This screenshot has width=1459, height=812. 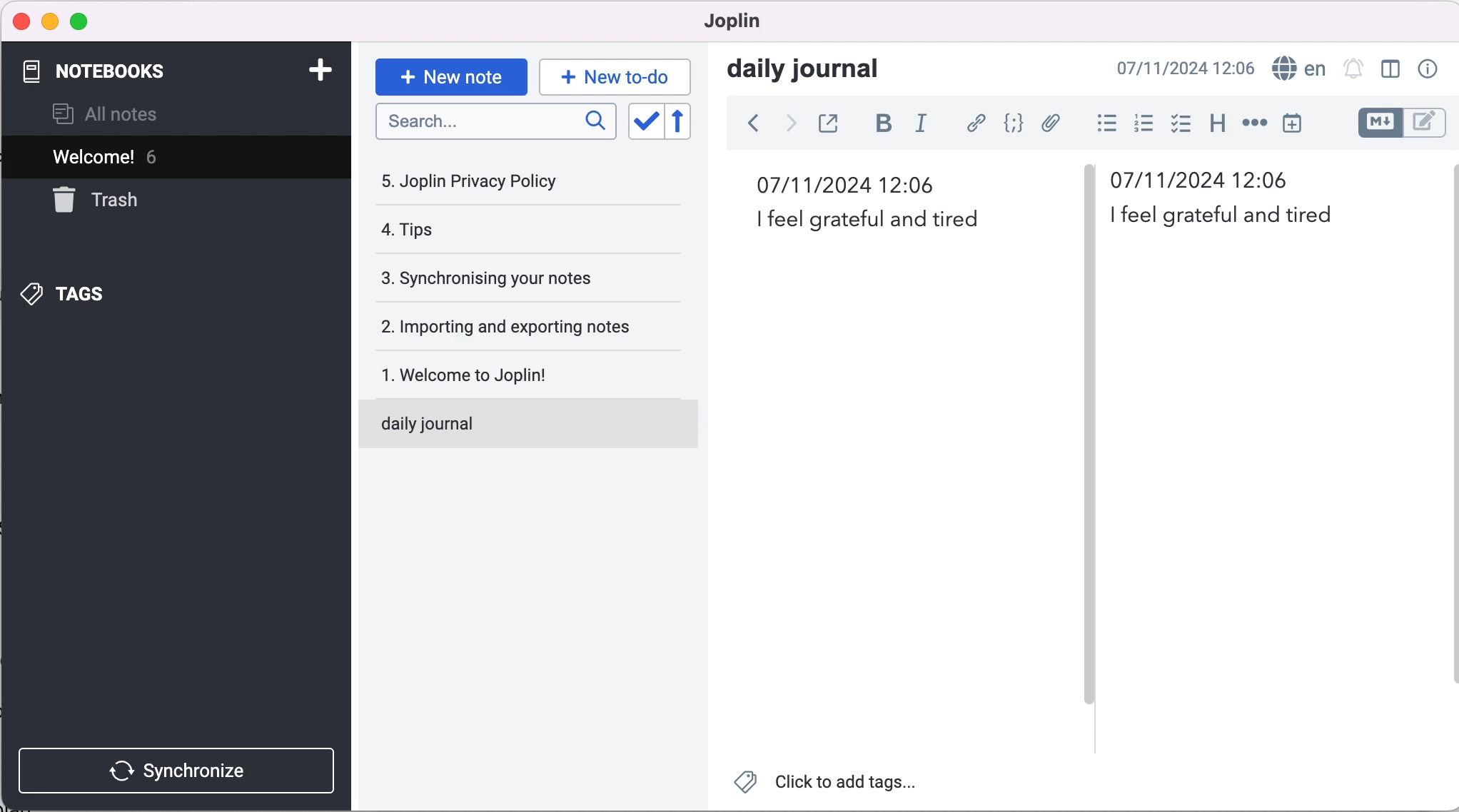 I want to click on reverse sort order, so click(x=684, y=123).